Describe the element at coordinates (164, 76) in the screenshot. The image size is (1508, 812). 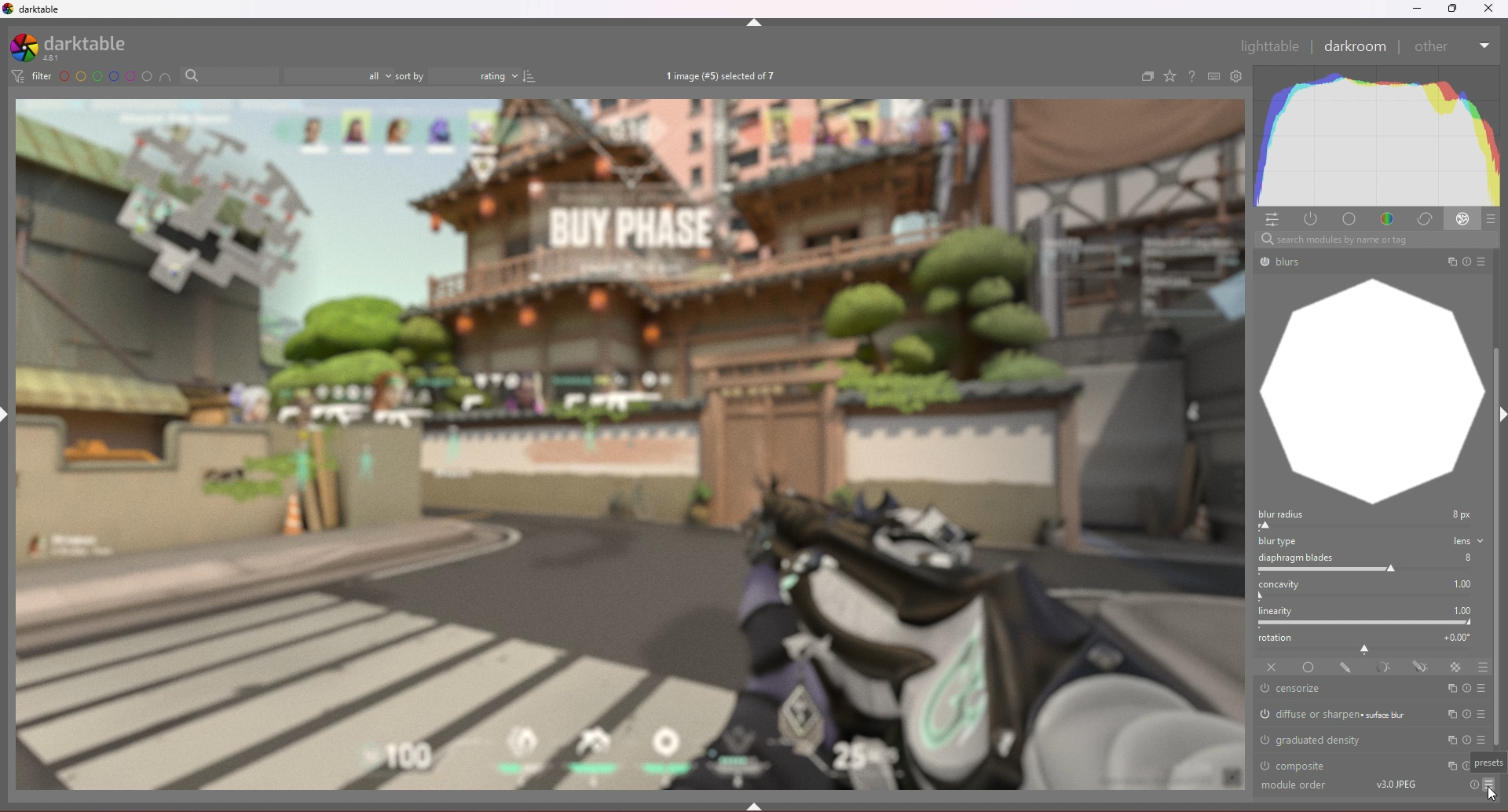
I see `include color label` at that location.